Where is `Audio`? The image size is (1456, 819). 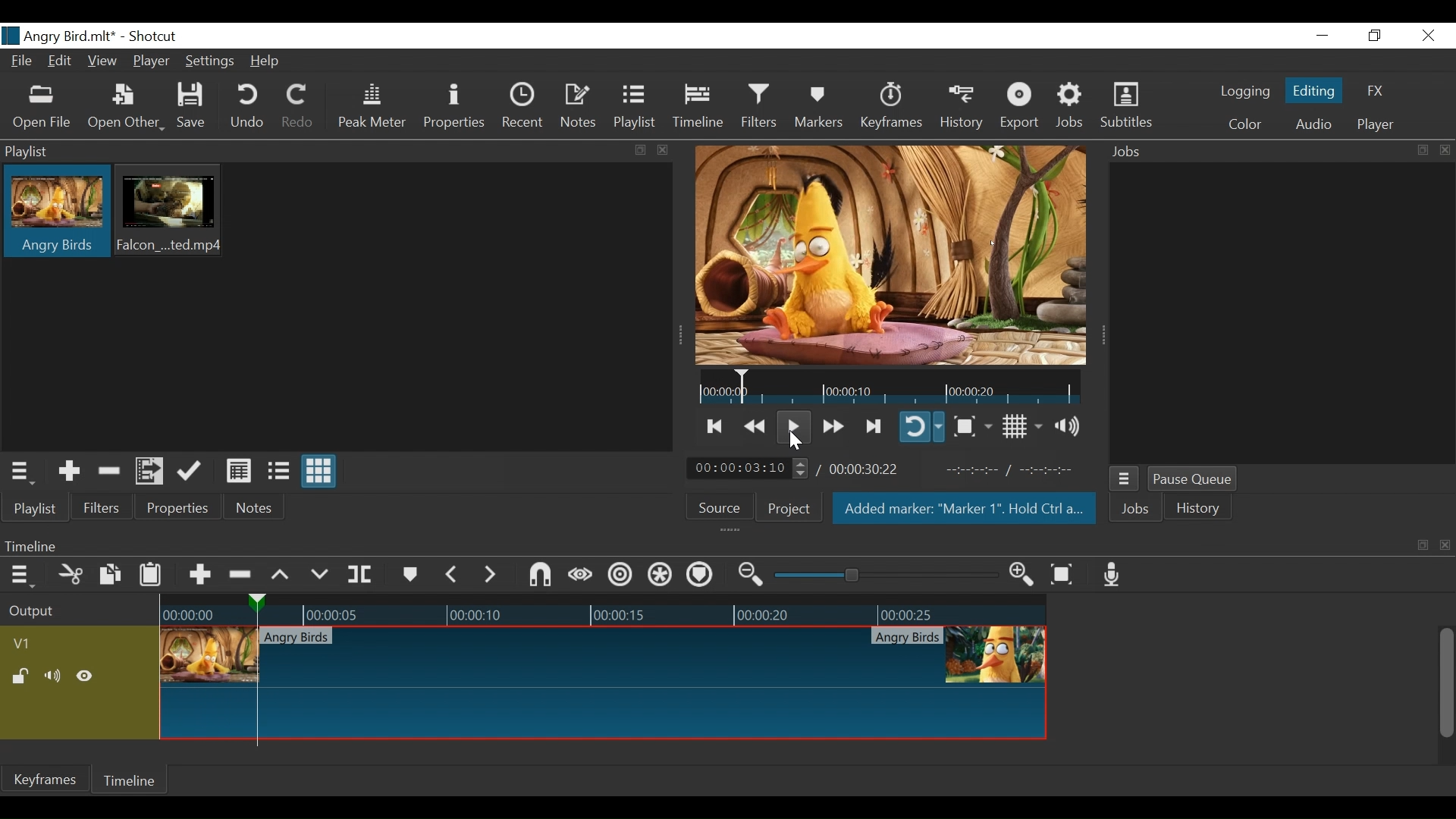
Audio is located at coordinates (1313, 124).